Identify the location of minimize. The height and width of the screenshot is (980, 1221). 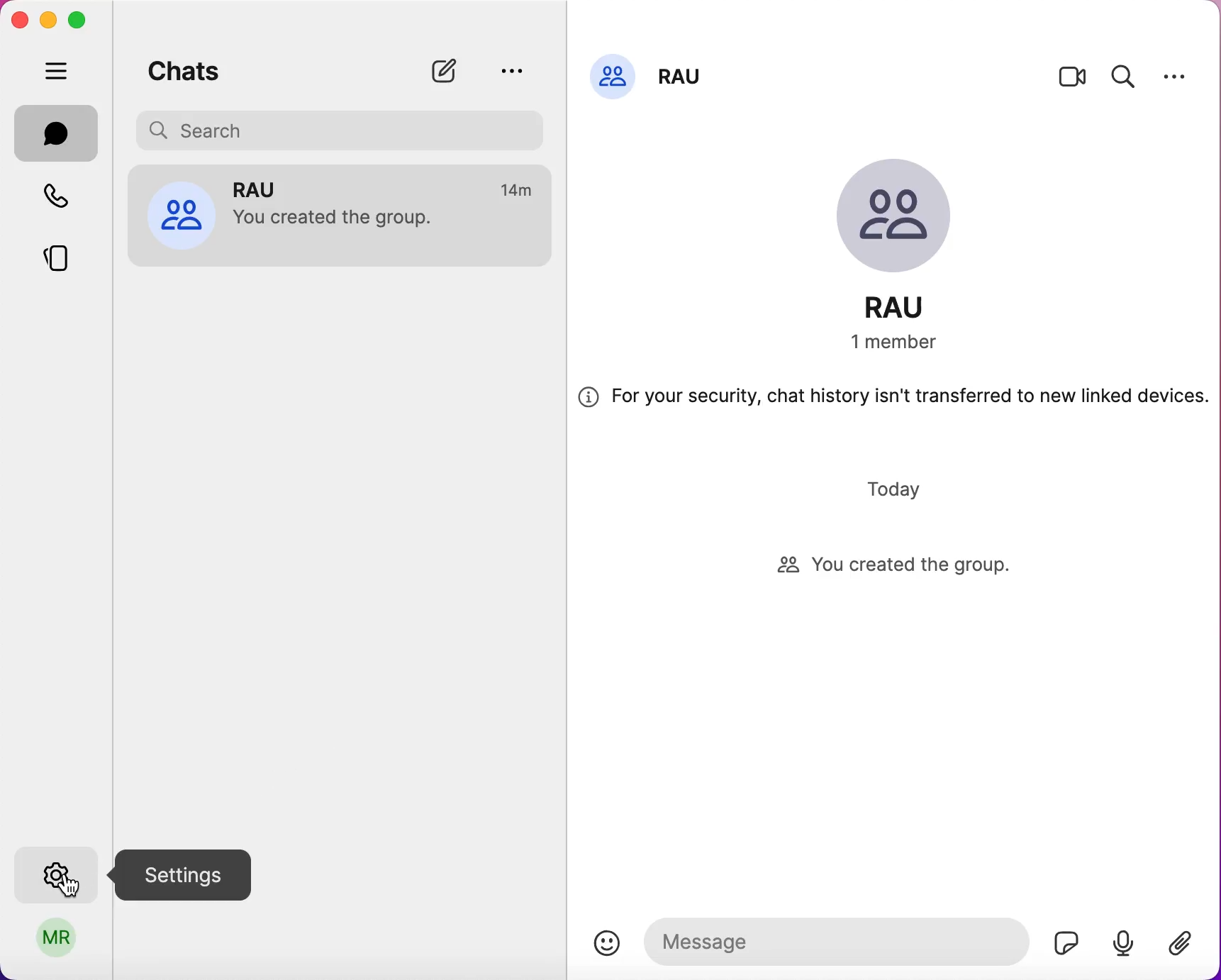
(49, 20).